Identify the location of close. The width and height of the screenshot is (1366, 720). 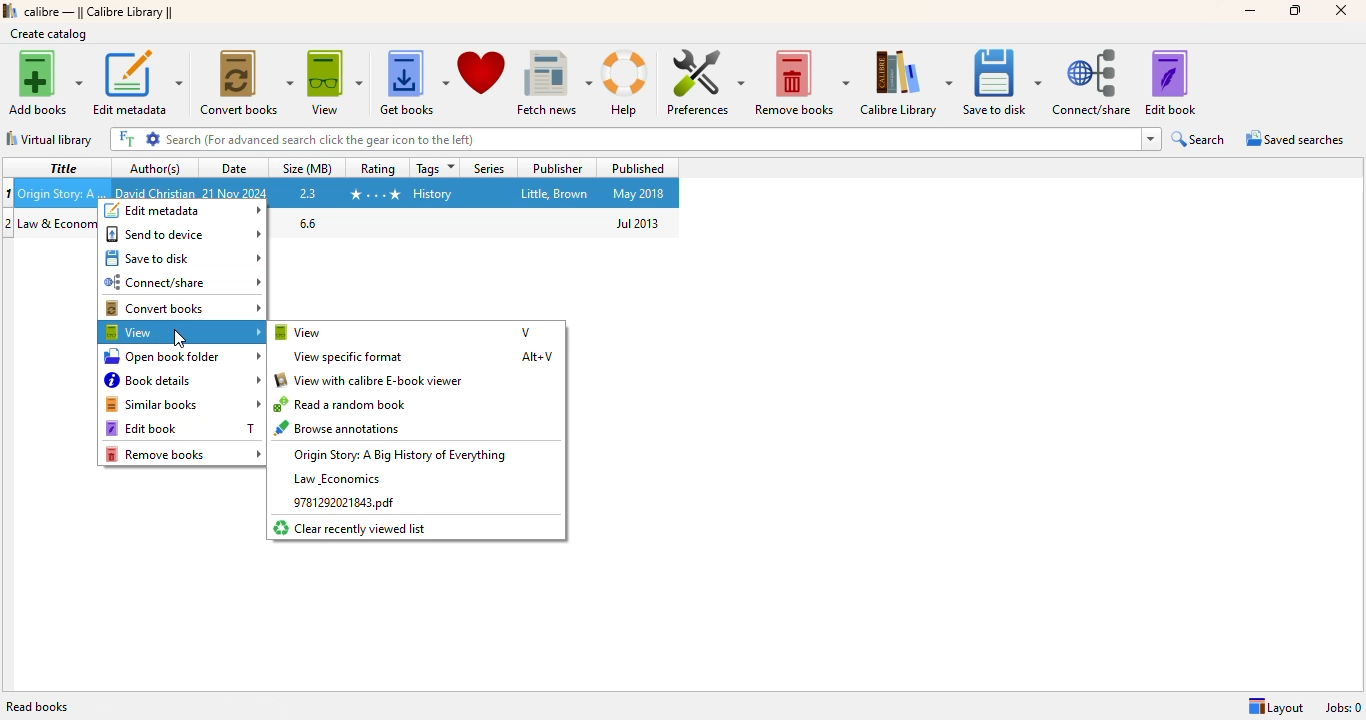
(1342, 10).